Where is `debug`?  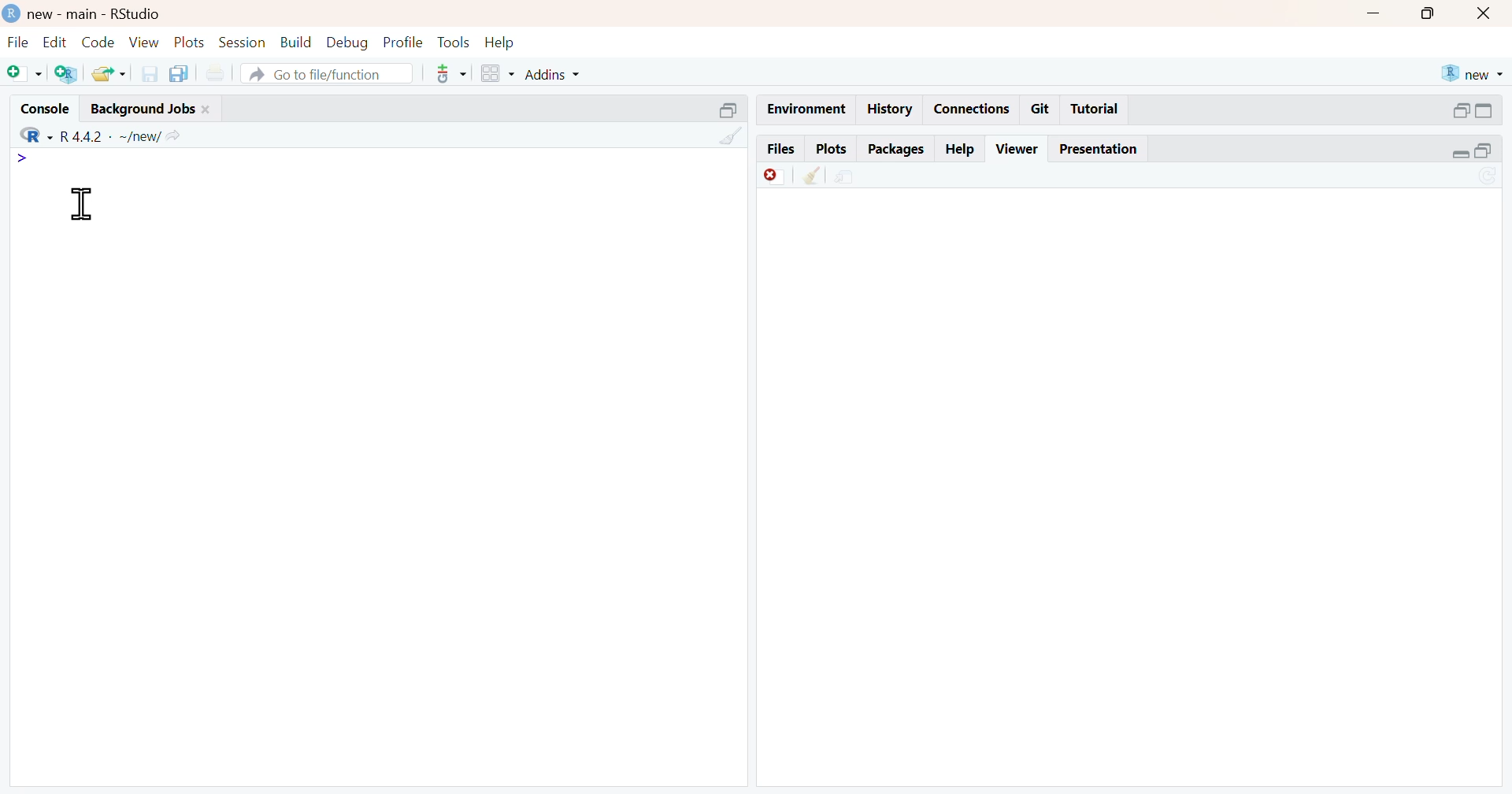 debug is located at coordinates (348, 43).